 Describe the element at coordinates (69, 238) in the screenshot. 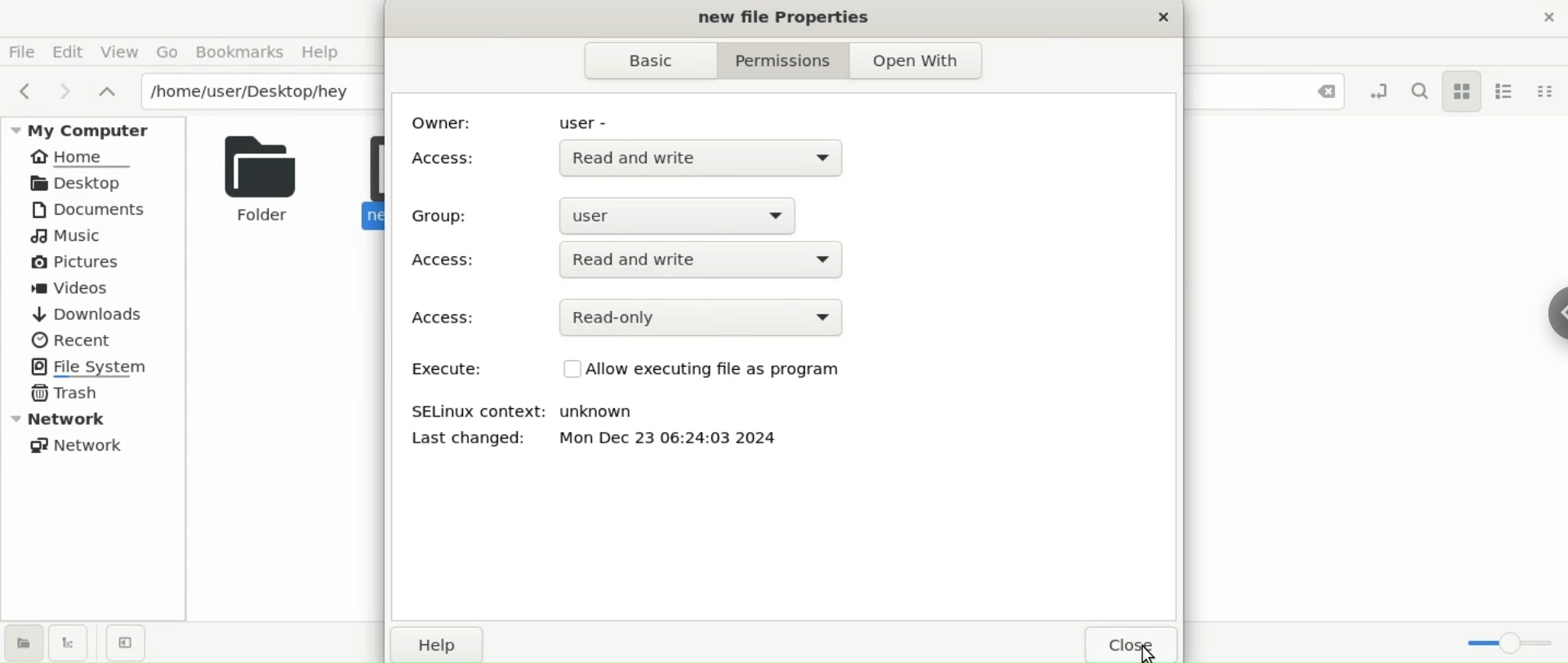

I see `Music` at that location.